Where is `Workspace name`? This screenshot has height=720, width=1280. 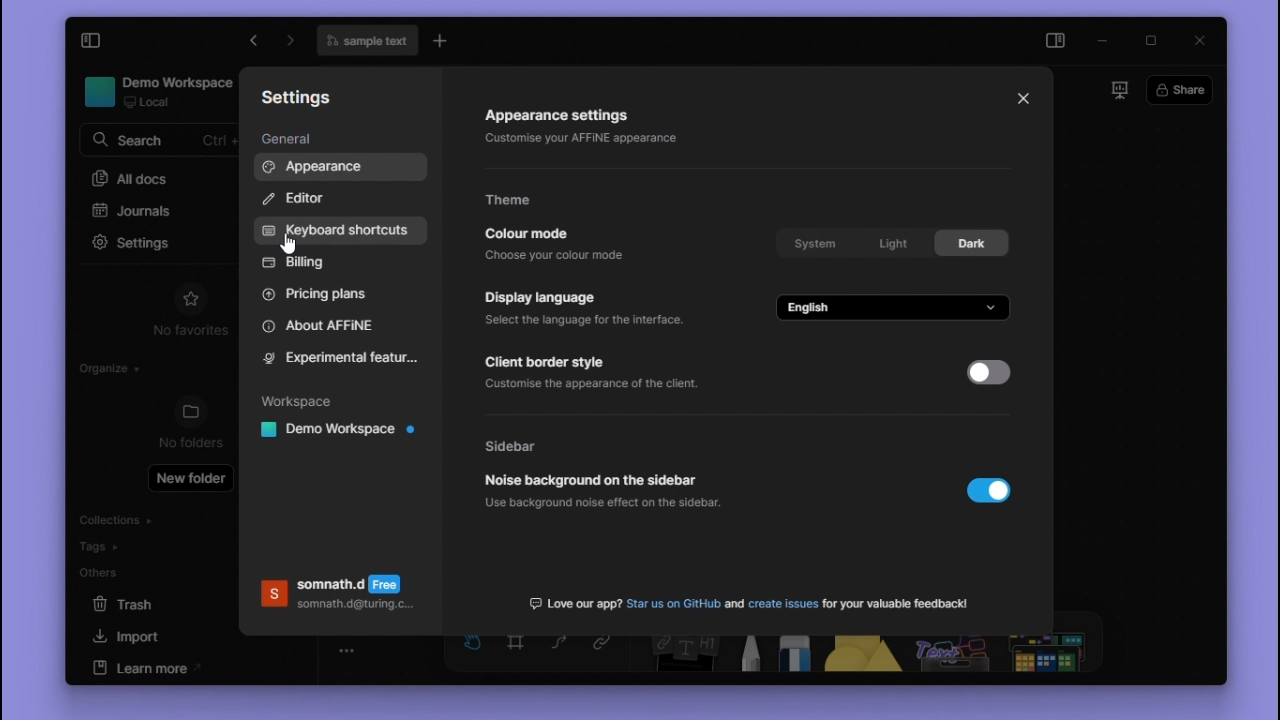
Workspace name is located at coordinates (342, 432).